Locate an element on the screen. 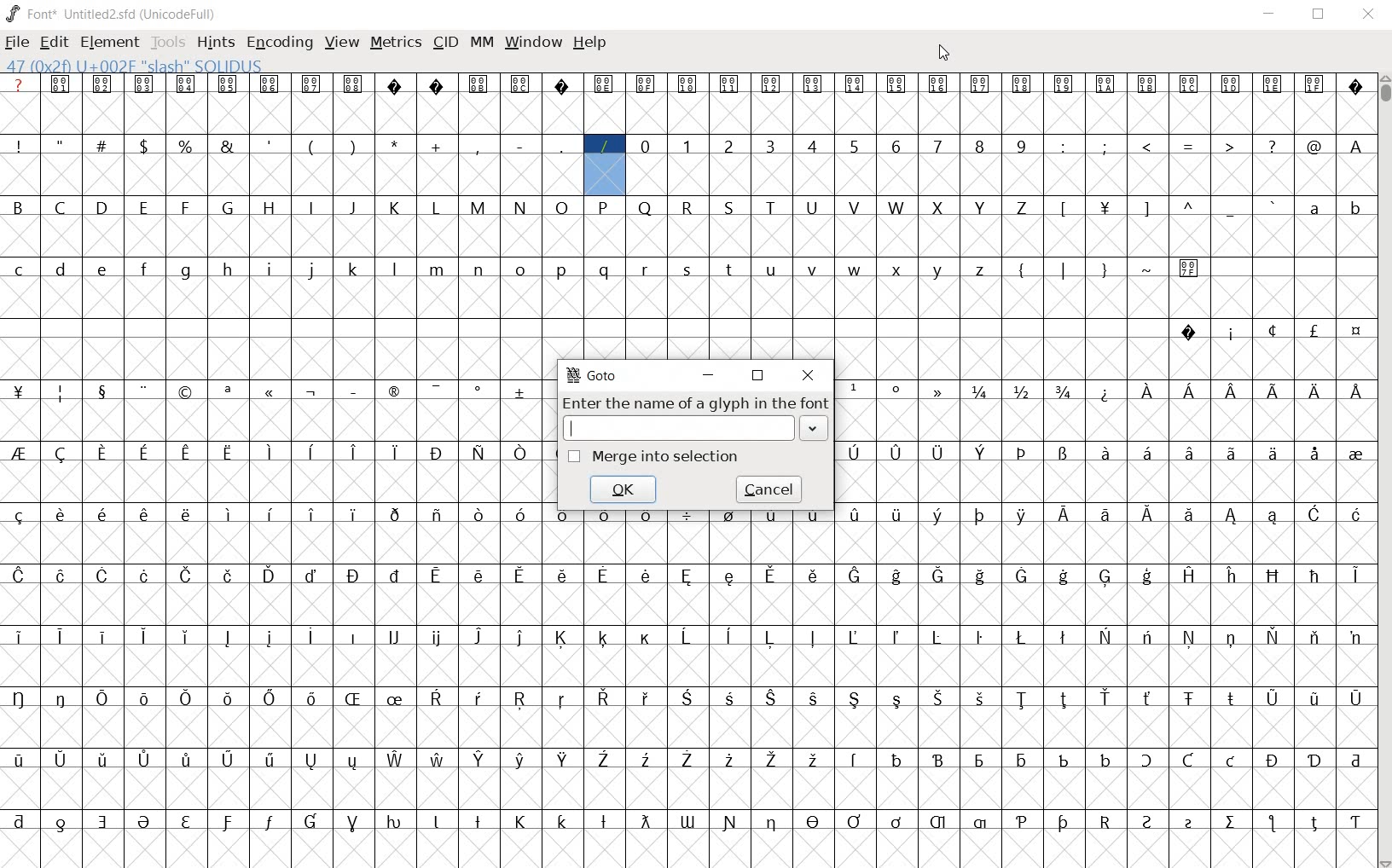  glyph is located at coordinates (855, 699).